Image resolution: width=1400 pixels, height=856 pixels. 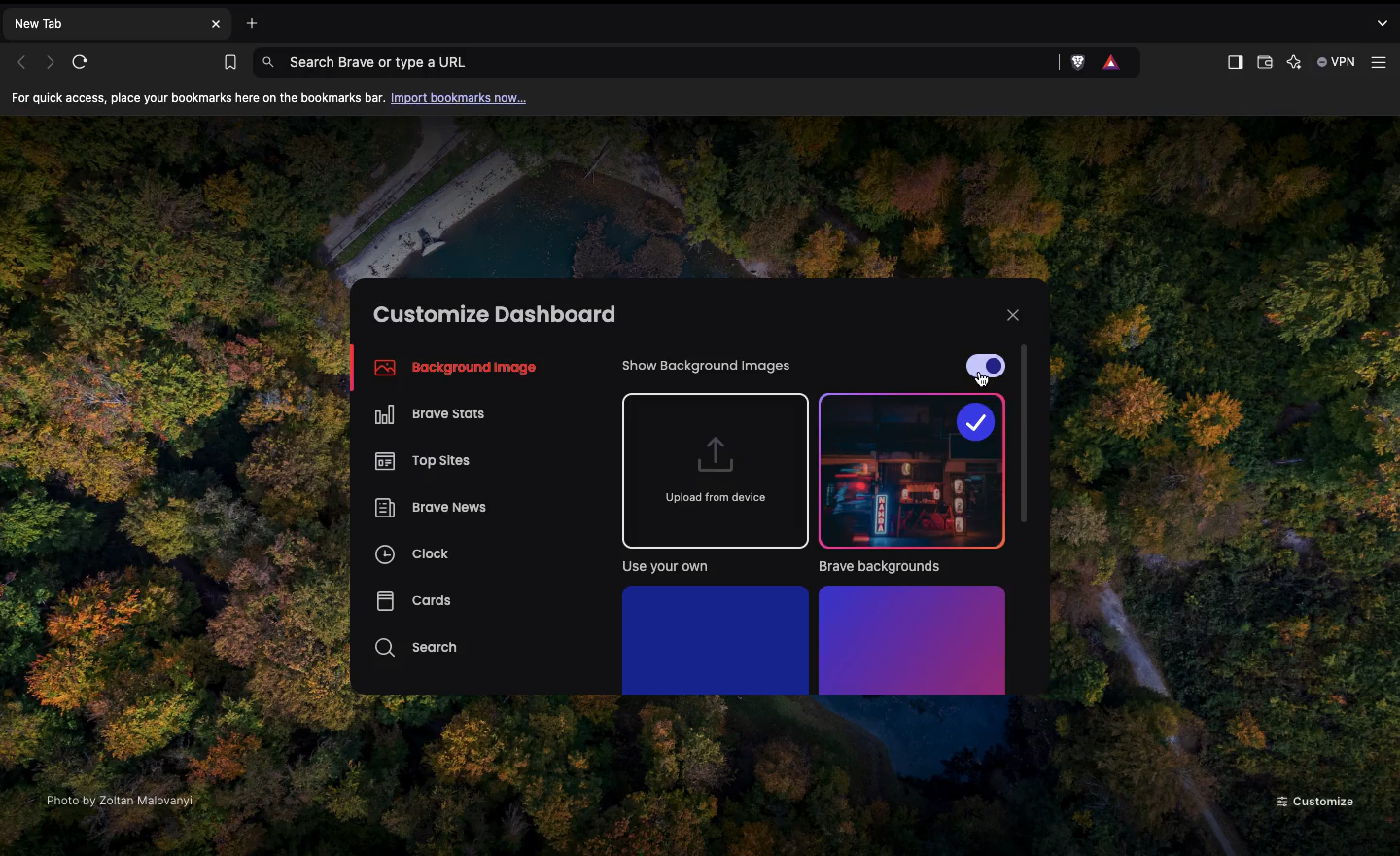 I want to click on Refresh page, so click(x=87, y=62).